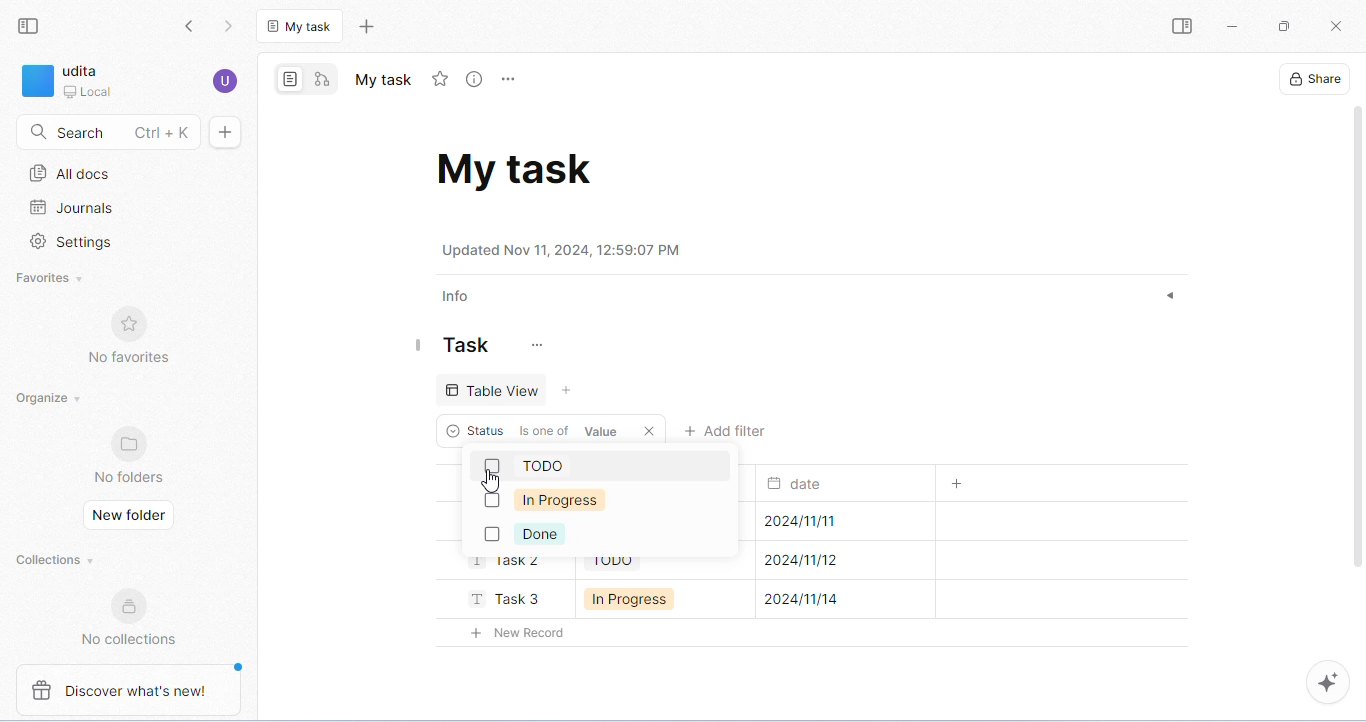  What do you see at coordinates (73, 209) in the screenshot?
I see `journals` at bounding box center [73, 209].